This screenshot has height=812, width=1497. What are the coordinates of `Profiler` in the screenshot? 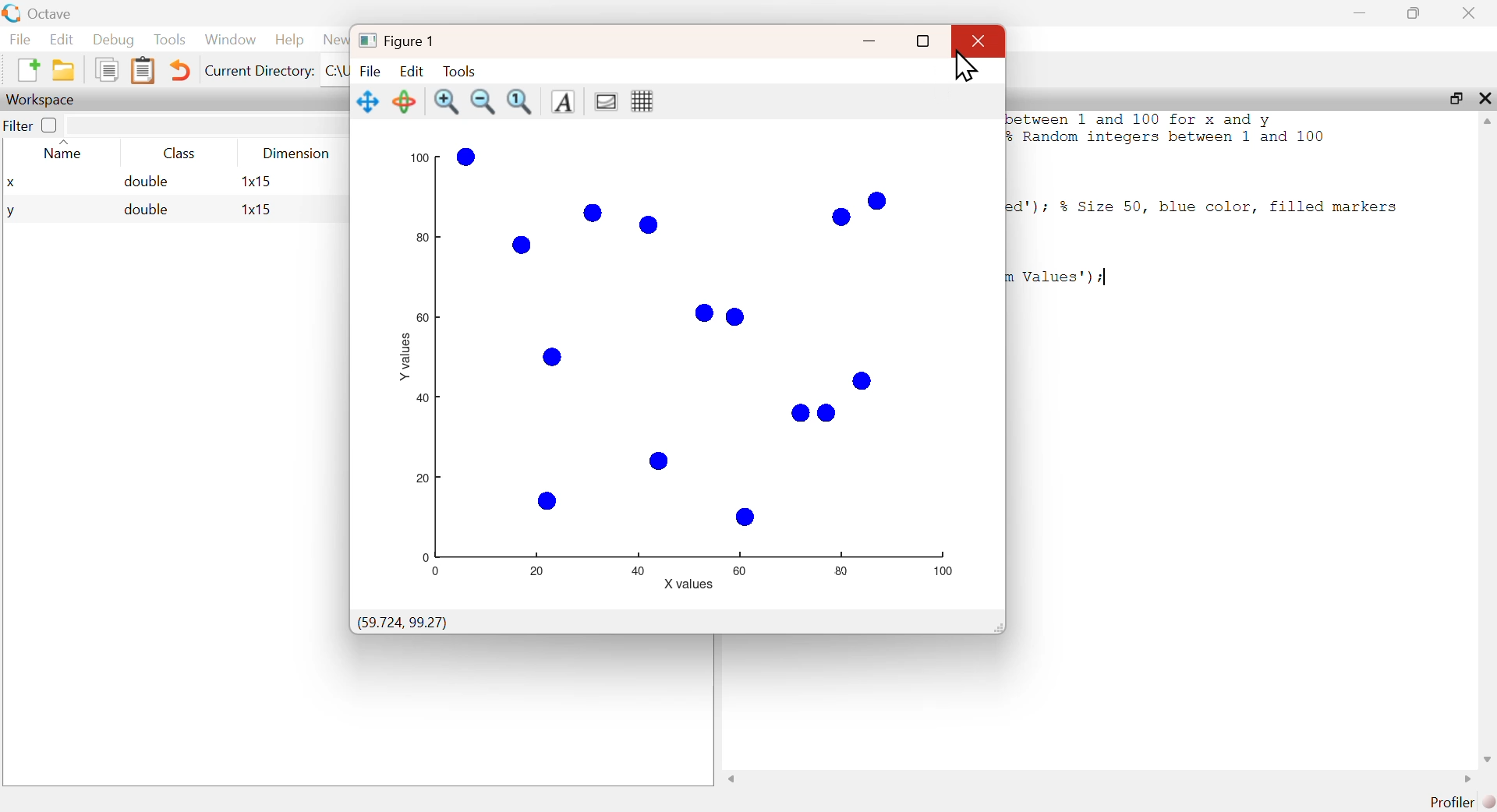 It's located at (1462, 802).